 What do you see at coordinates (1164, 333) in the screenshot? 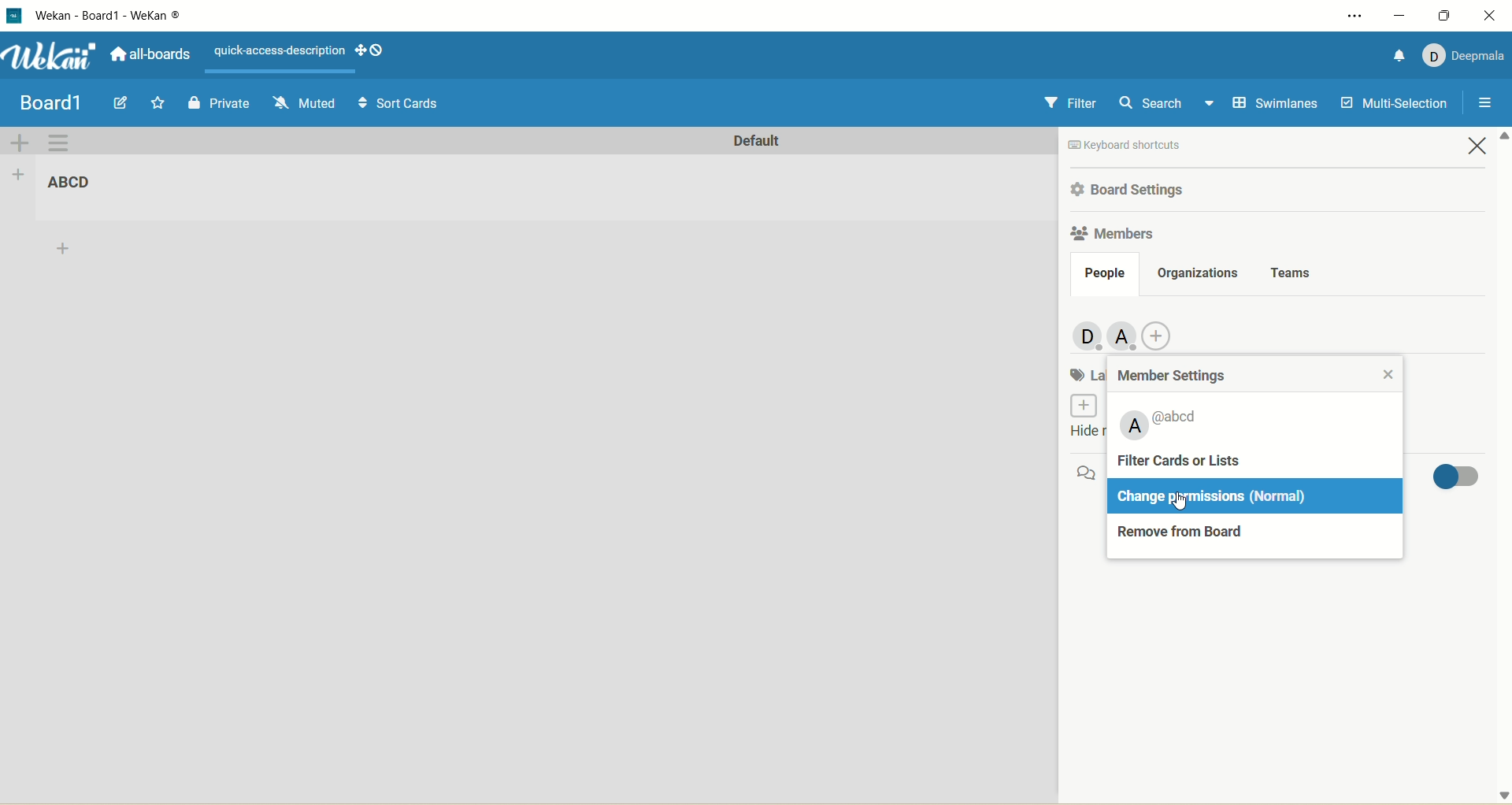
I see `add member` at bounding box center [1164, 333].